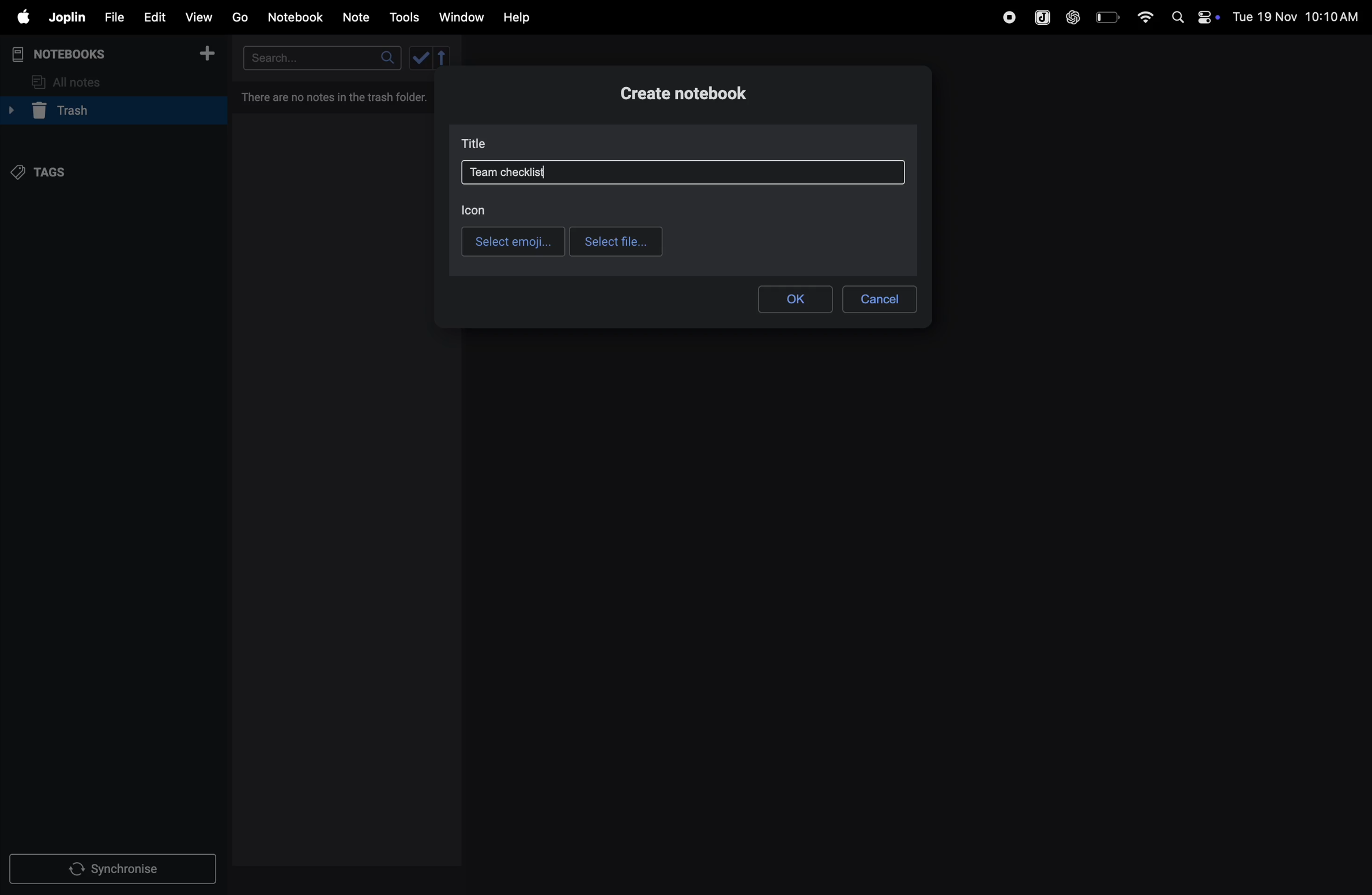 This screenshot has width=1372, height=895. What do you see at coordinates (882, 296) in the screenshot?
I see `cancel` at bounding box center [882, 296].